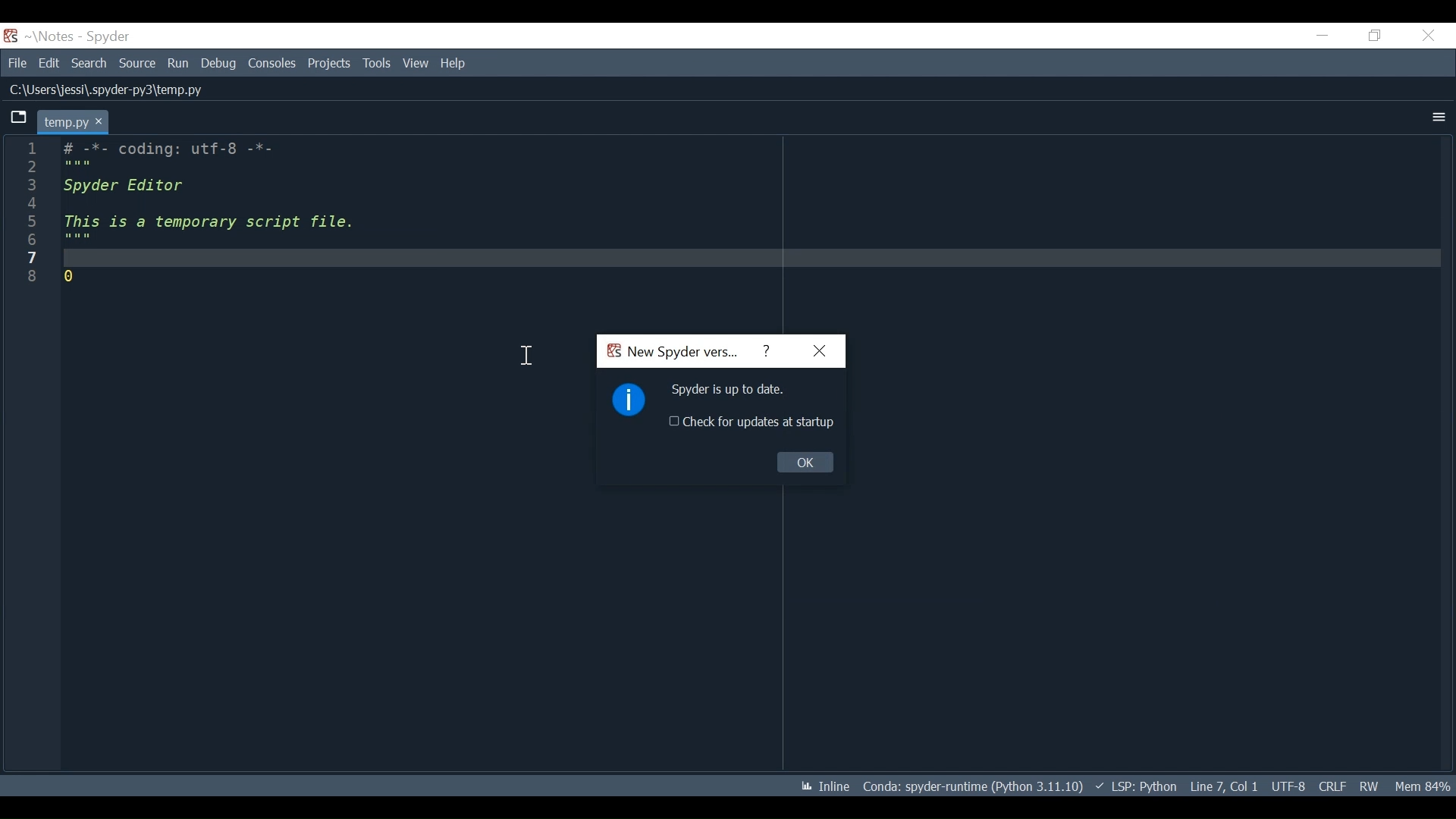 The image size is (1456, 819). Describe the element at coordinates (1323, 36) in the screenshot. I see `Minimize` at that location.